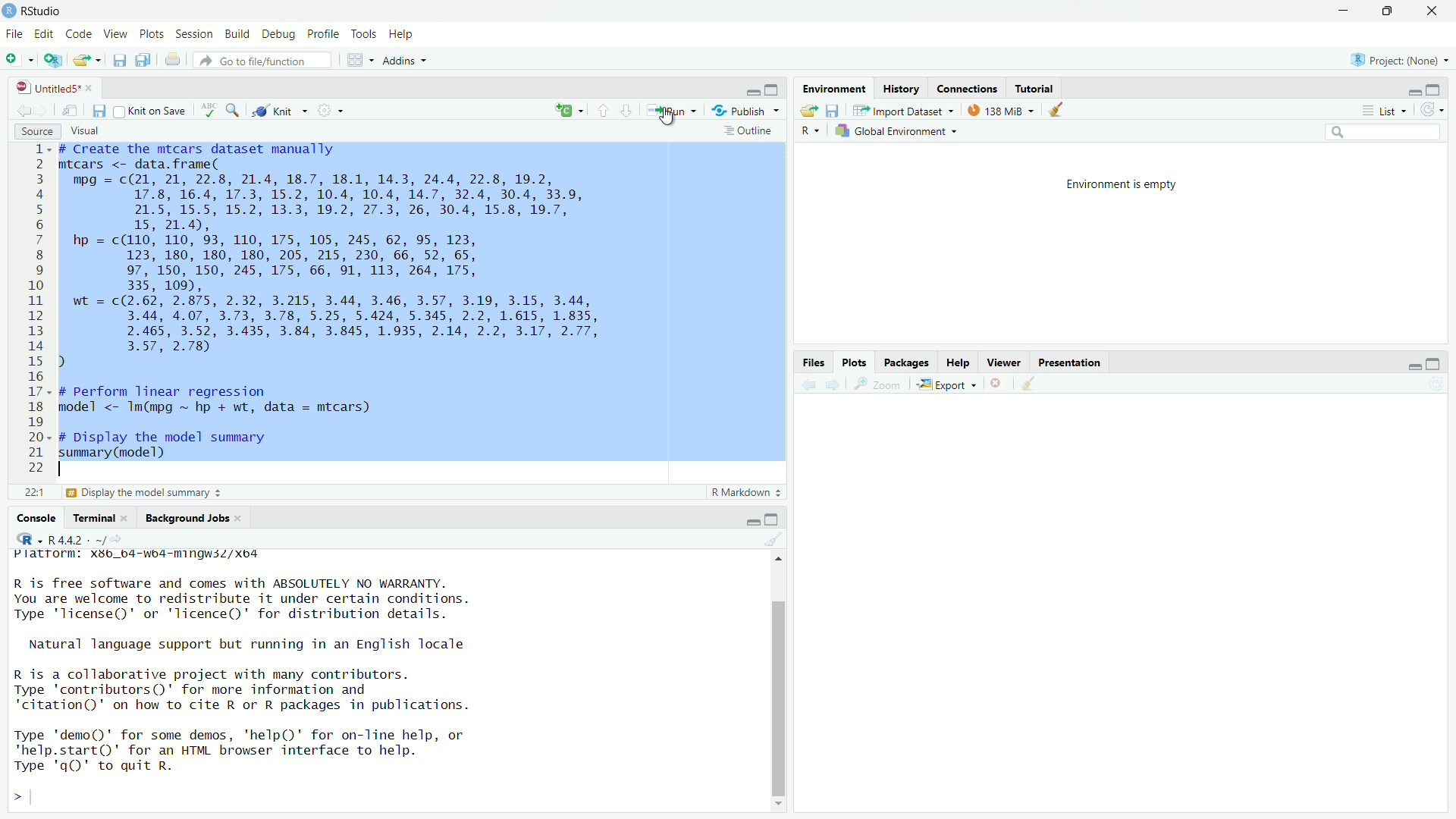 This screenshot has height=819, width=1456. What do you see at coordinates (22, 114) in the screenshot?
I see `go back` at bounding box center [22, 114].